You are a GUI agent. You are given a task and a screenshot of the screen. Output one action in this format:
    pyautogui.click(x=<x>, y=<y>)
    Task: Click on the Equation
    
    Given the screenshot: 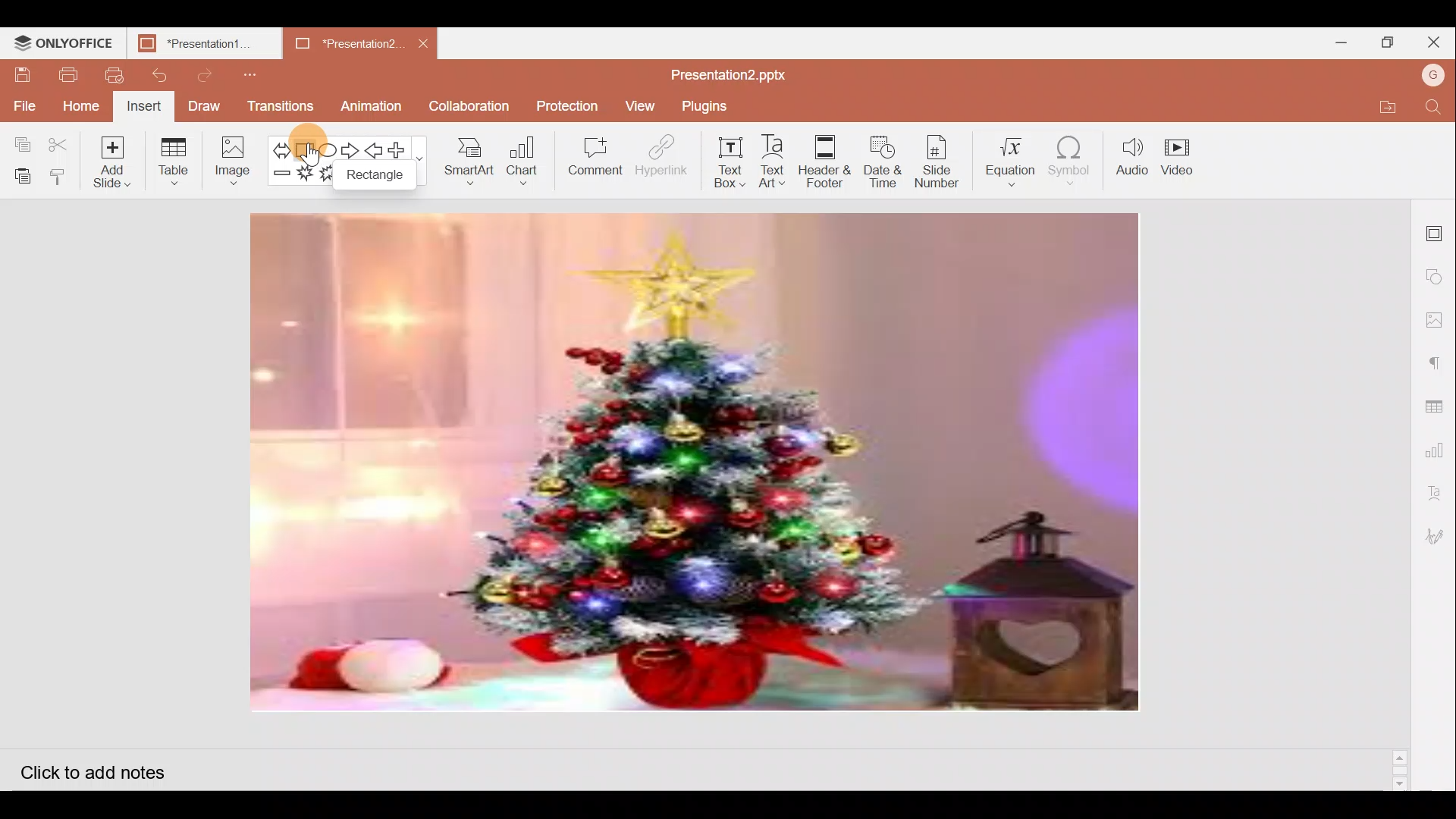 What is the action you would take?
    pyautogui.click(x=1010, y=158)
    